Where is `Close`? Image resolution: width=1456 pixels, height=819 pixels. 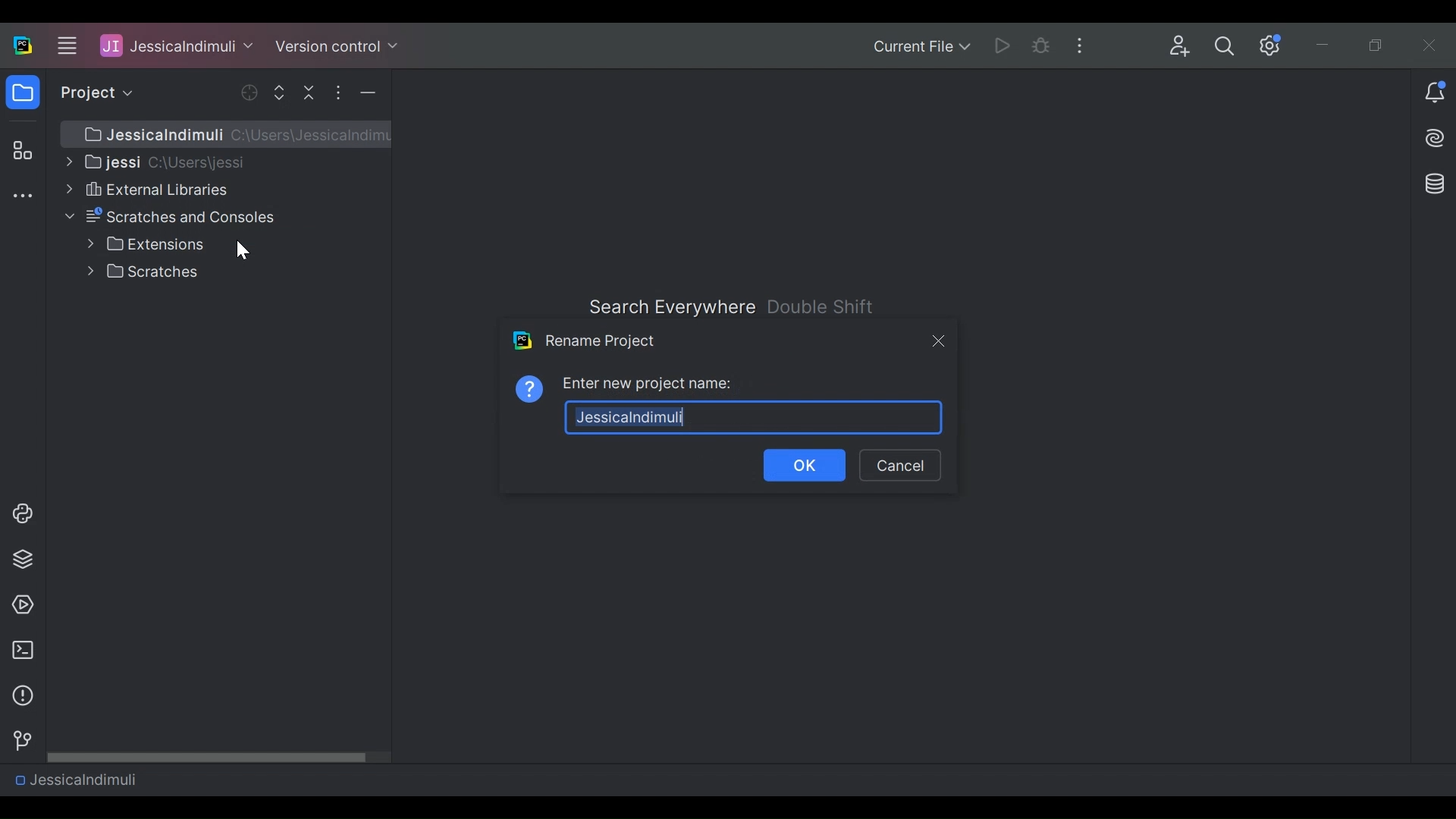 Close is located at coordinates (937, 340).